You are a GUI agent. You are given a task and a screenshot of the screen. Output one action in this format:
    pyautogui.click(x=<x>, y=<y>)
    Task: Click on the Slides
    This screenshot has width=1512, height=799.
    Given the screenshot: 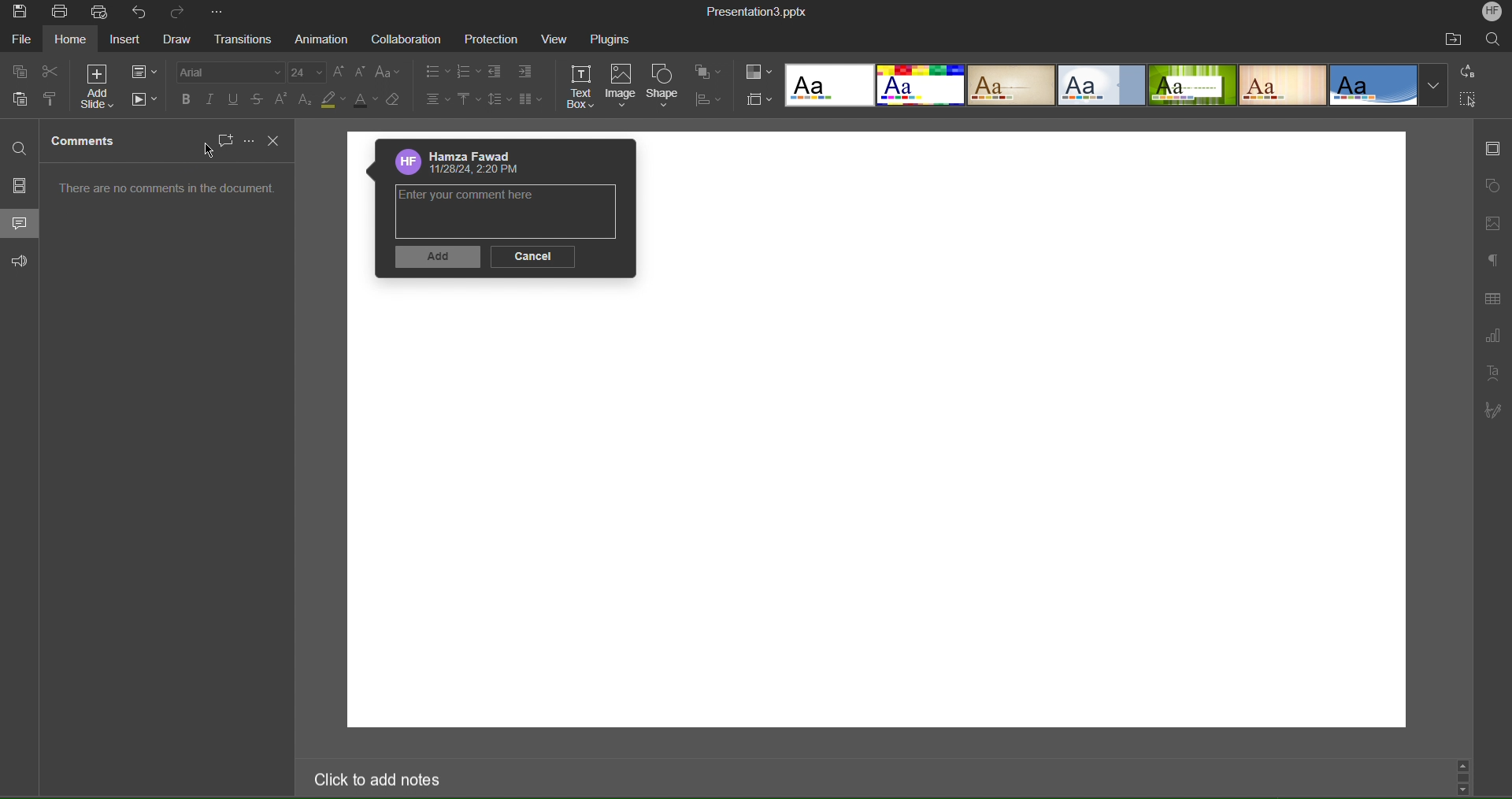 What is the action you would take?
    pyautogui.click(x=20, y=185)
    